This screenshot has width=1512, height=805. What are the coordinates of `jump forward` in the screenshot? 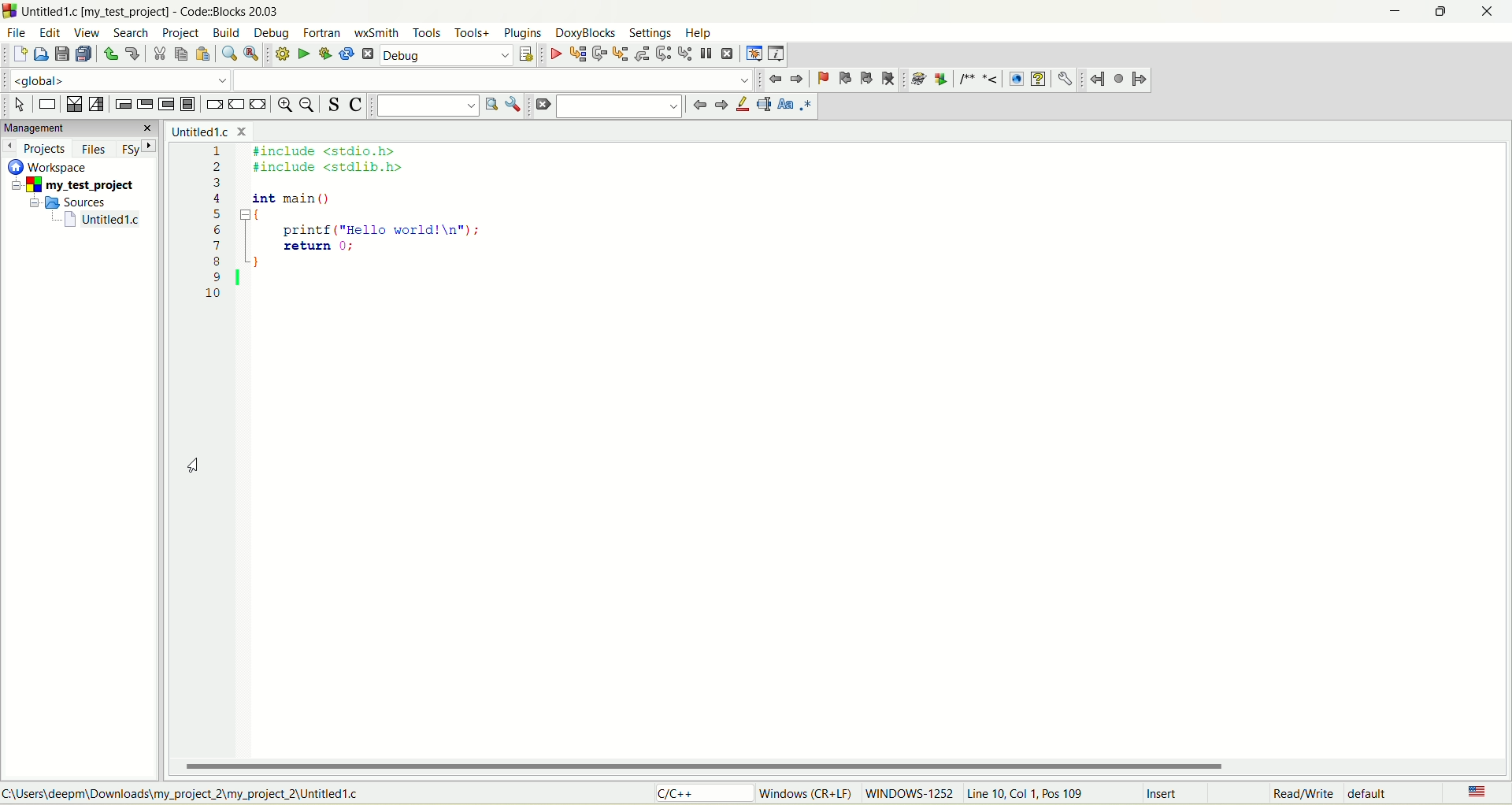 It's located at (1139, 80).